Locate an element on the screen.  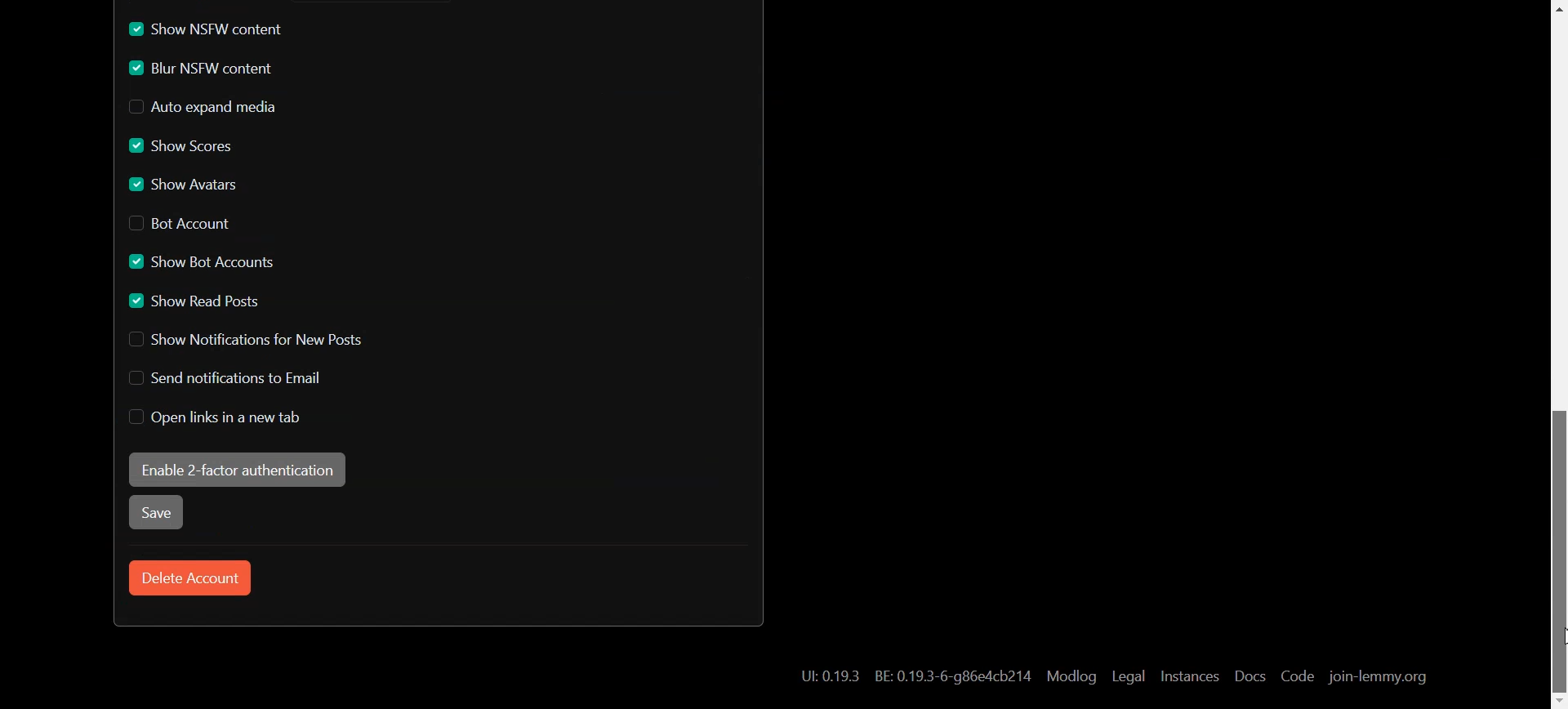
Instances is located at coordinates (1190, 676).